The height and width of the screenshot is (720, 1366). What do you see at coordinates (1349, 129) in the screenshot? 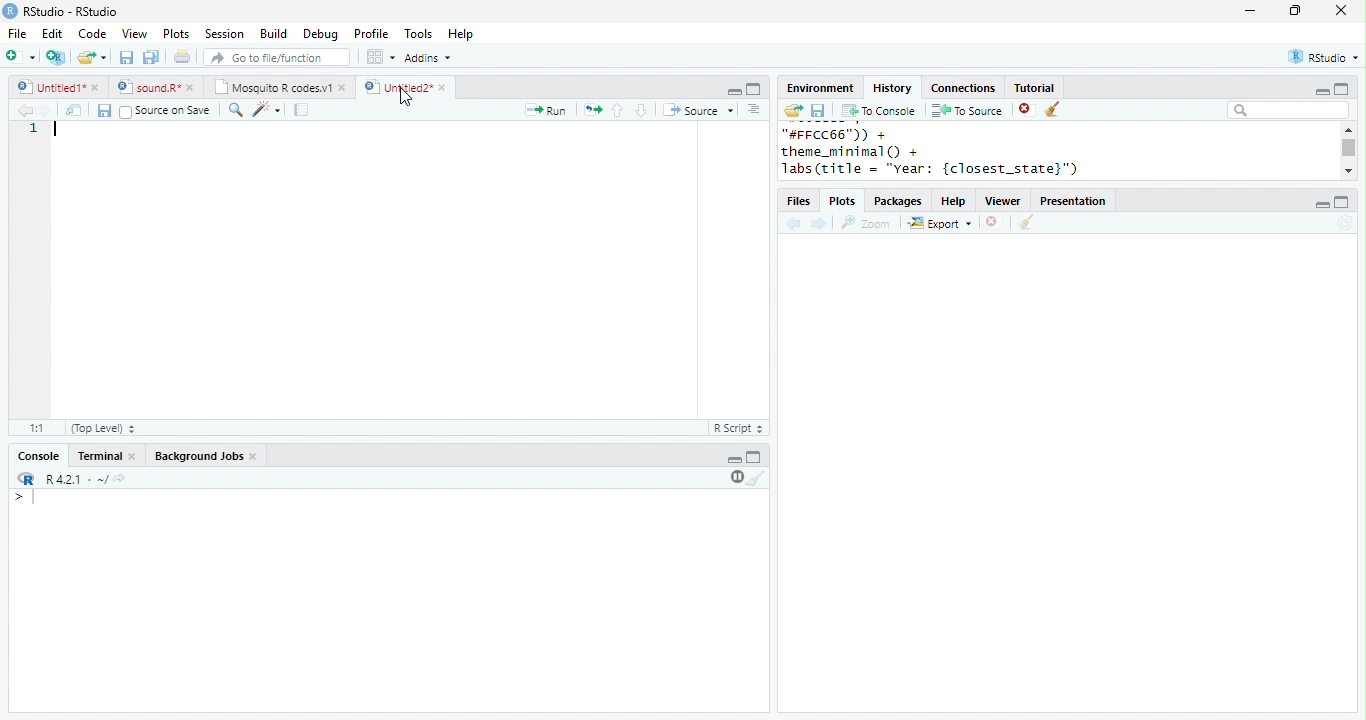
I see `scroll up` at bounding box center [1349, 129].